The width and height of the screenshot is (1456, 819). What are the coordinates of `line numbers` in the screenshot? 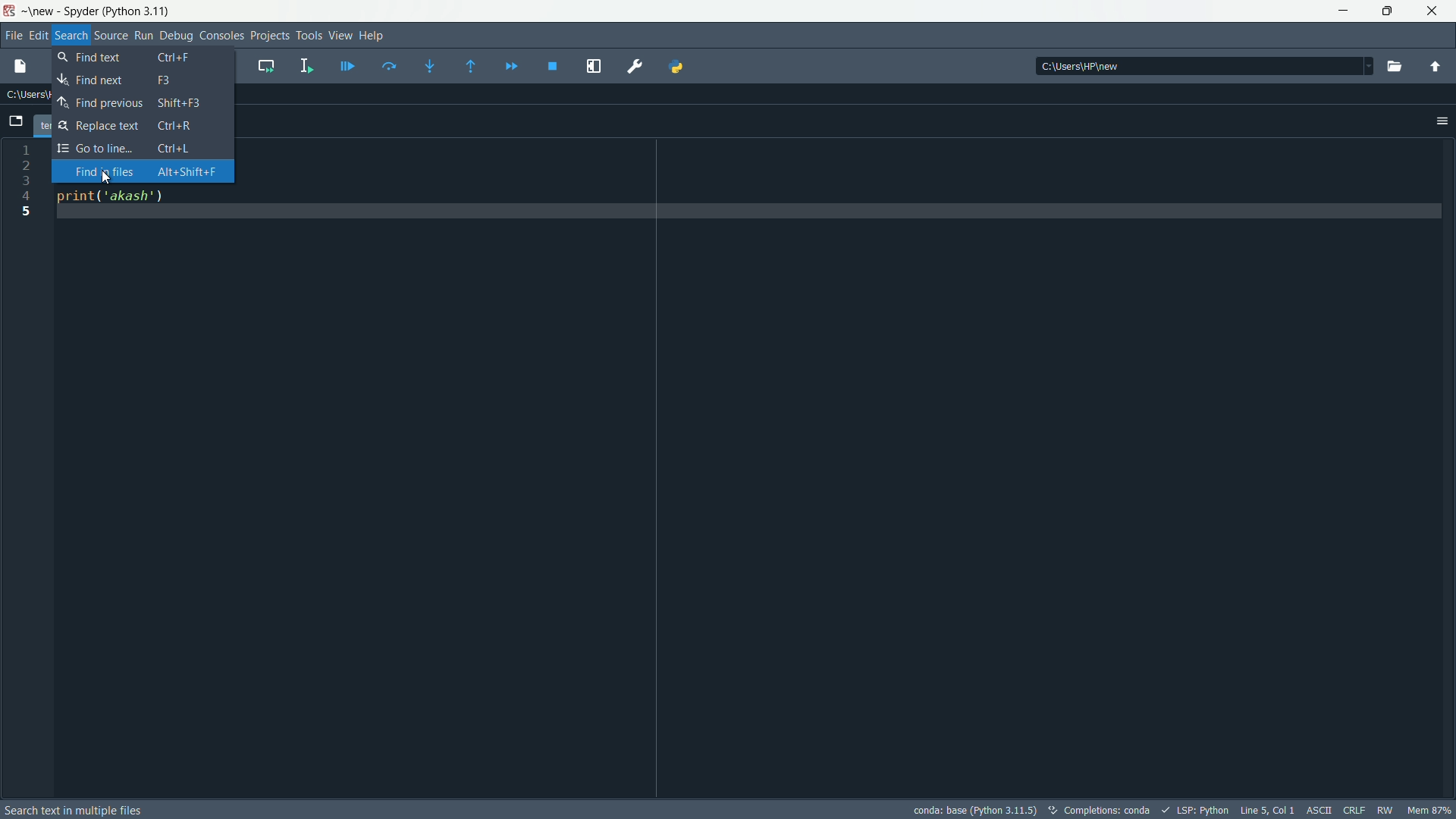 It's located at (26, 467).